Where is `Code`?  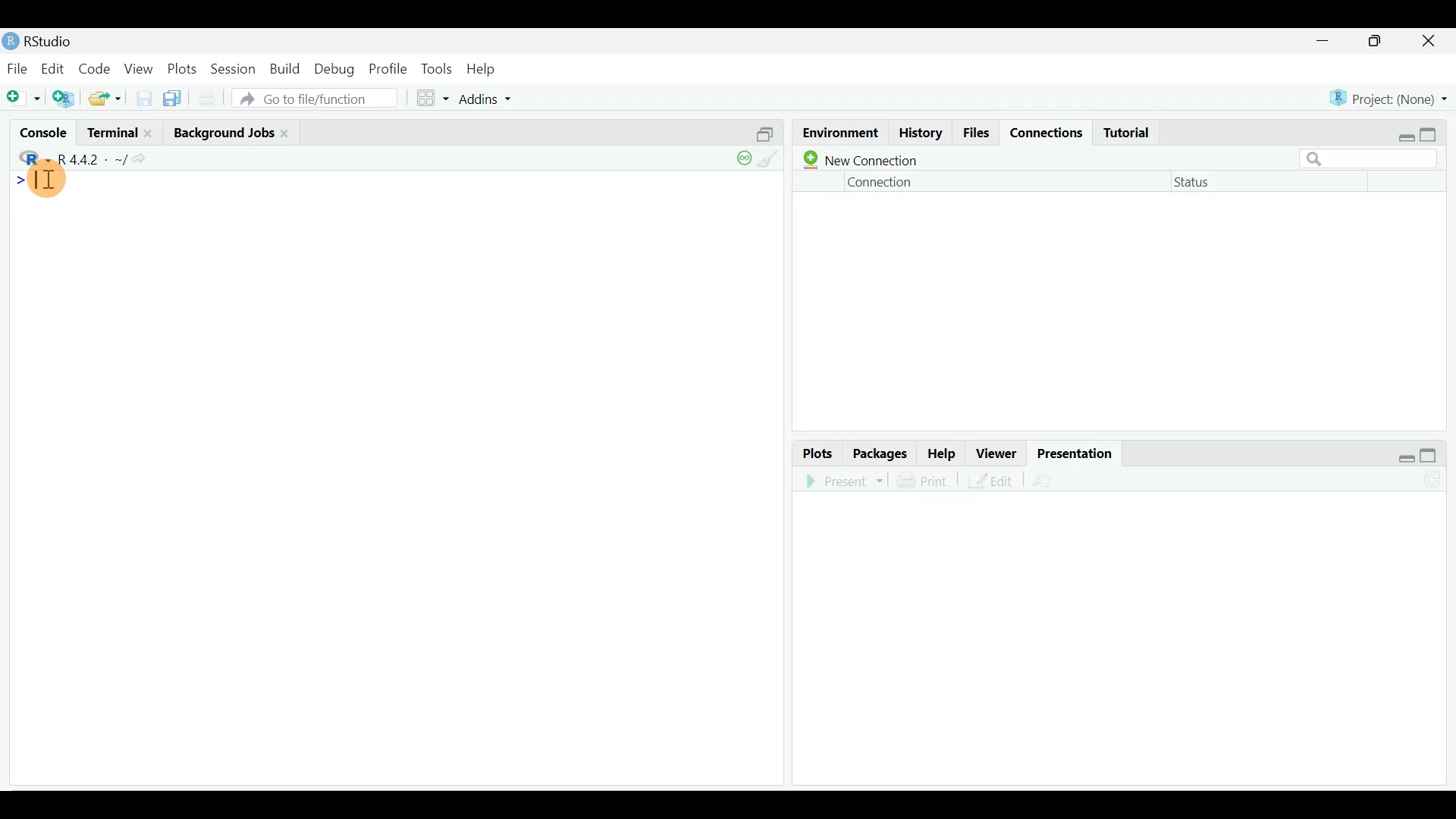
Code is located at coordinates (96, 67).